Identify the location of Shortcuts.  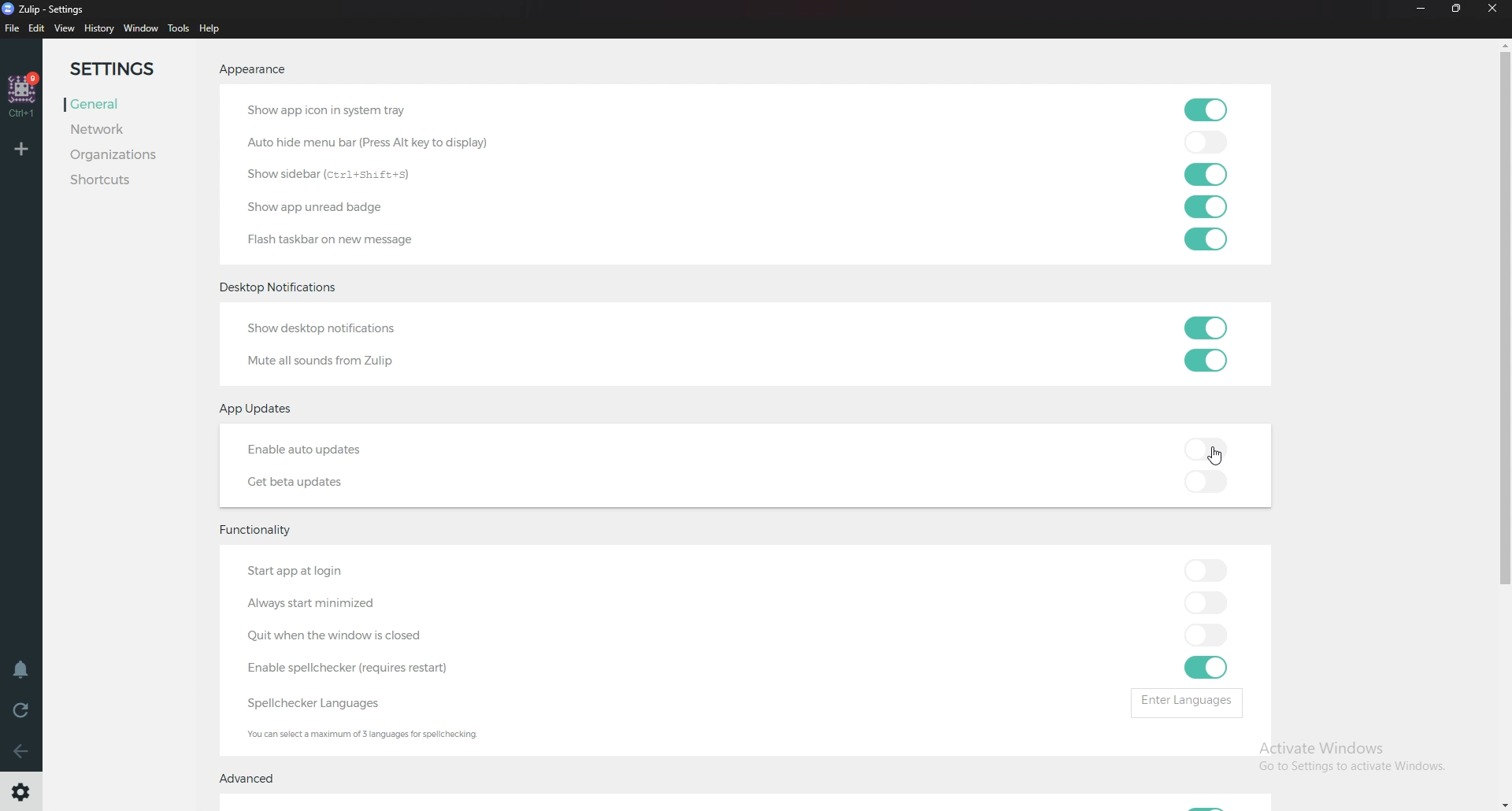
(128, 181).